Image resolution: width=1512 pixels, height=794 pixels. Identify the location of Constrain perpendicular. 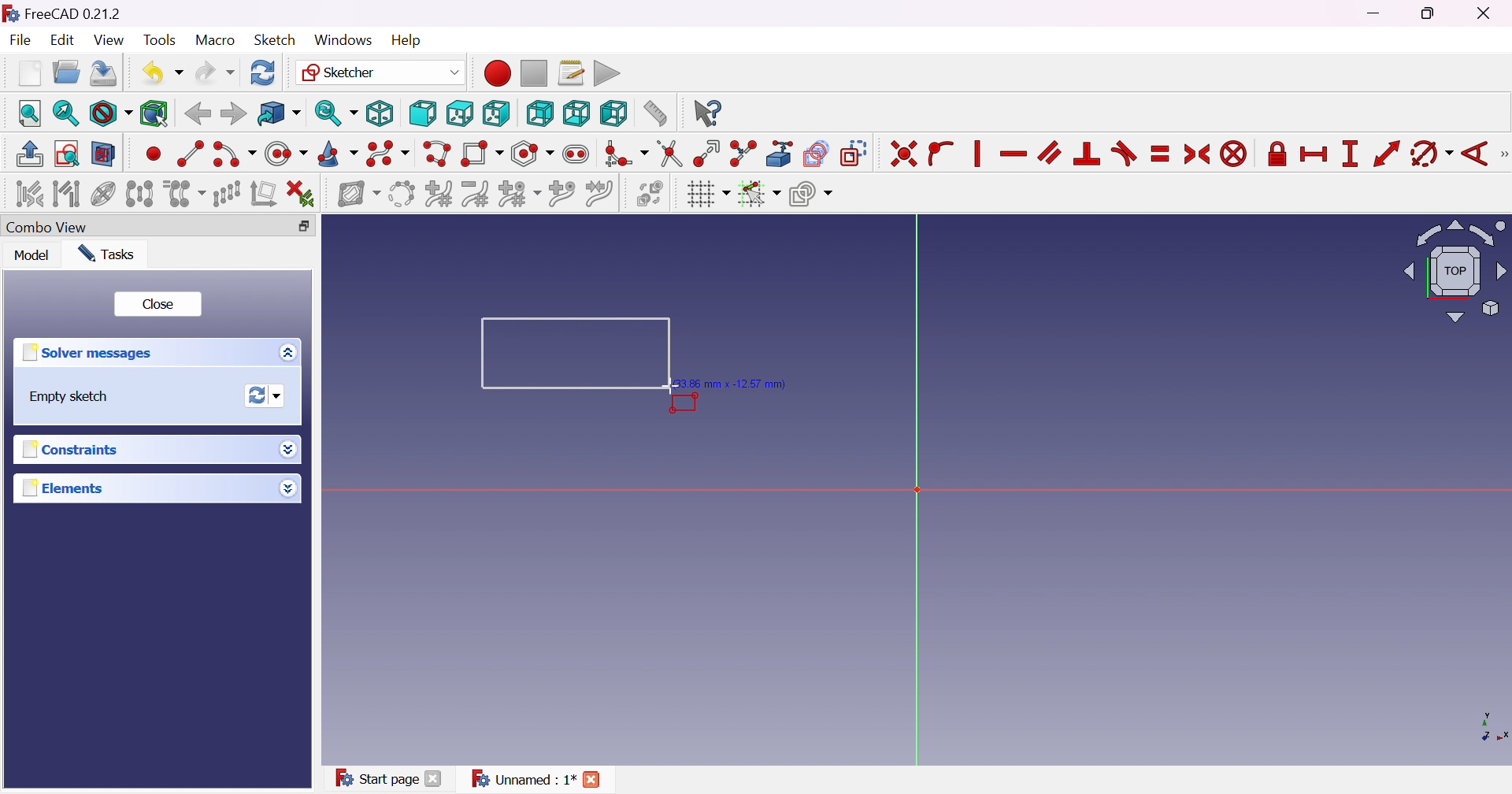
(1088, 154).